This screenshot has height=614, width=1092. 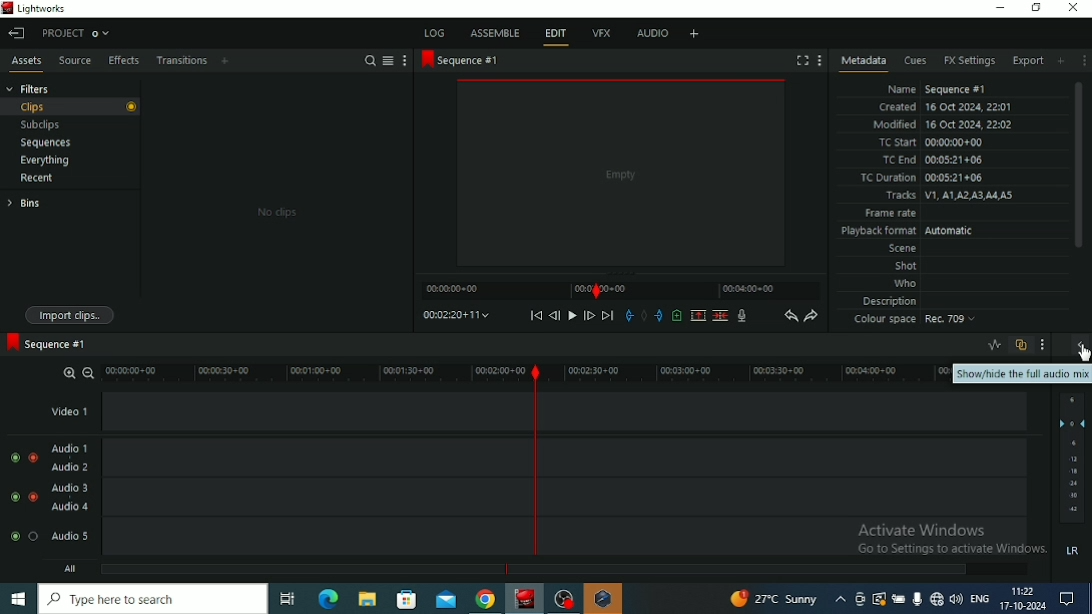 What do you see at coordinates (461, 60) in the screenshot?
I see `Sequence #1` at bounding box center [461, 60].